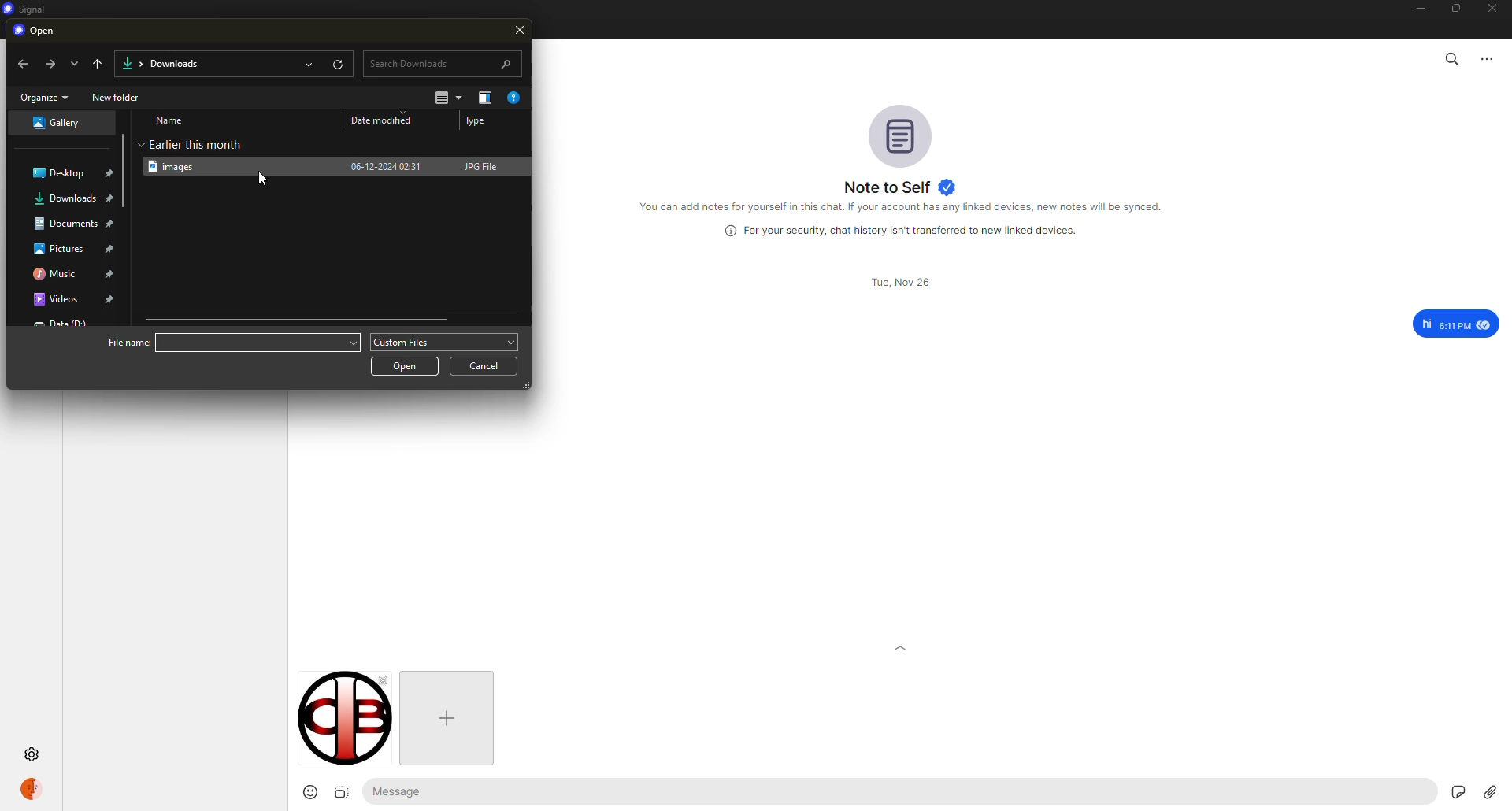  I want to click on image, so click(341, 792).